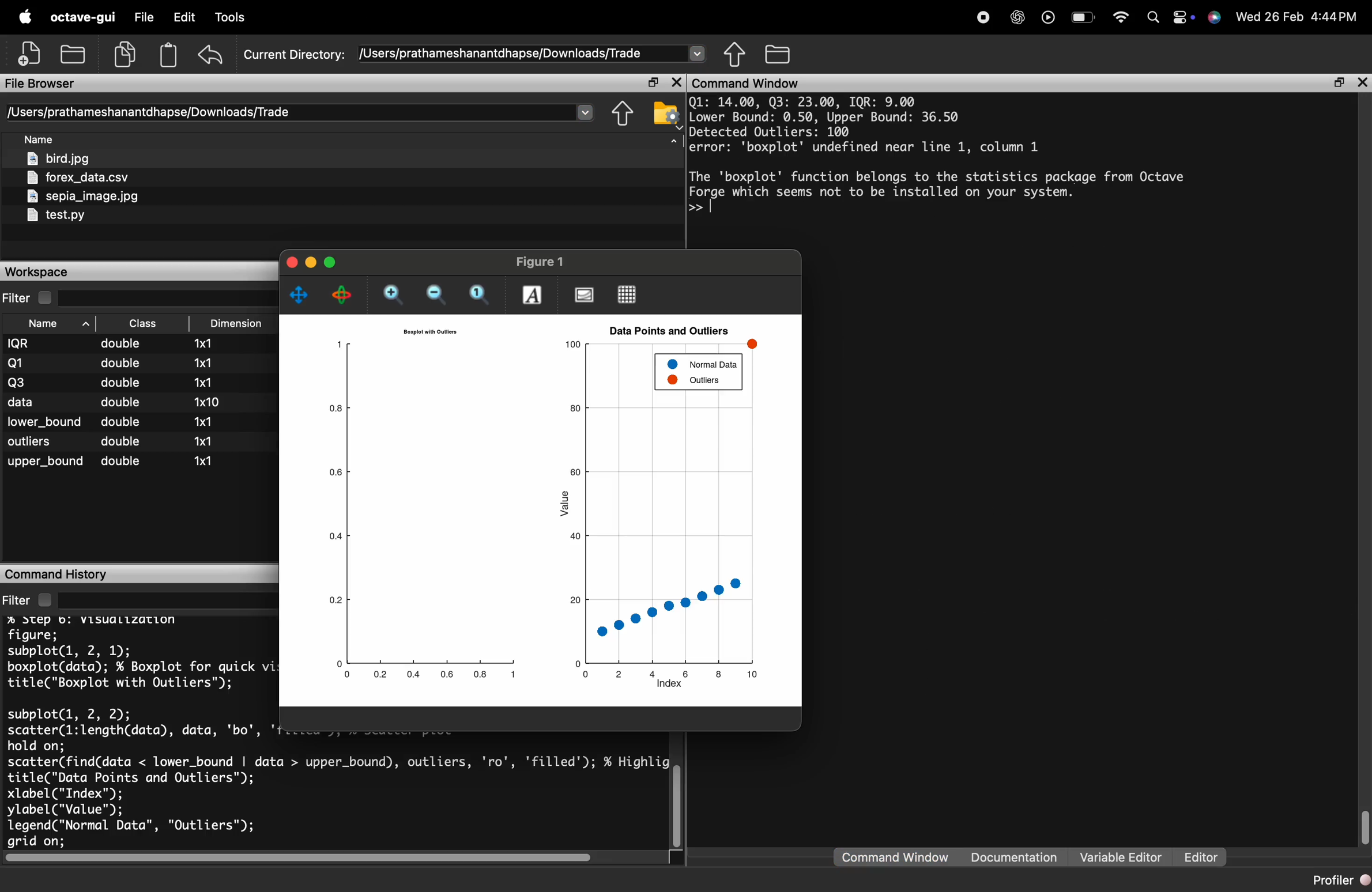  I want to click on pan, so click(299, 294).